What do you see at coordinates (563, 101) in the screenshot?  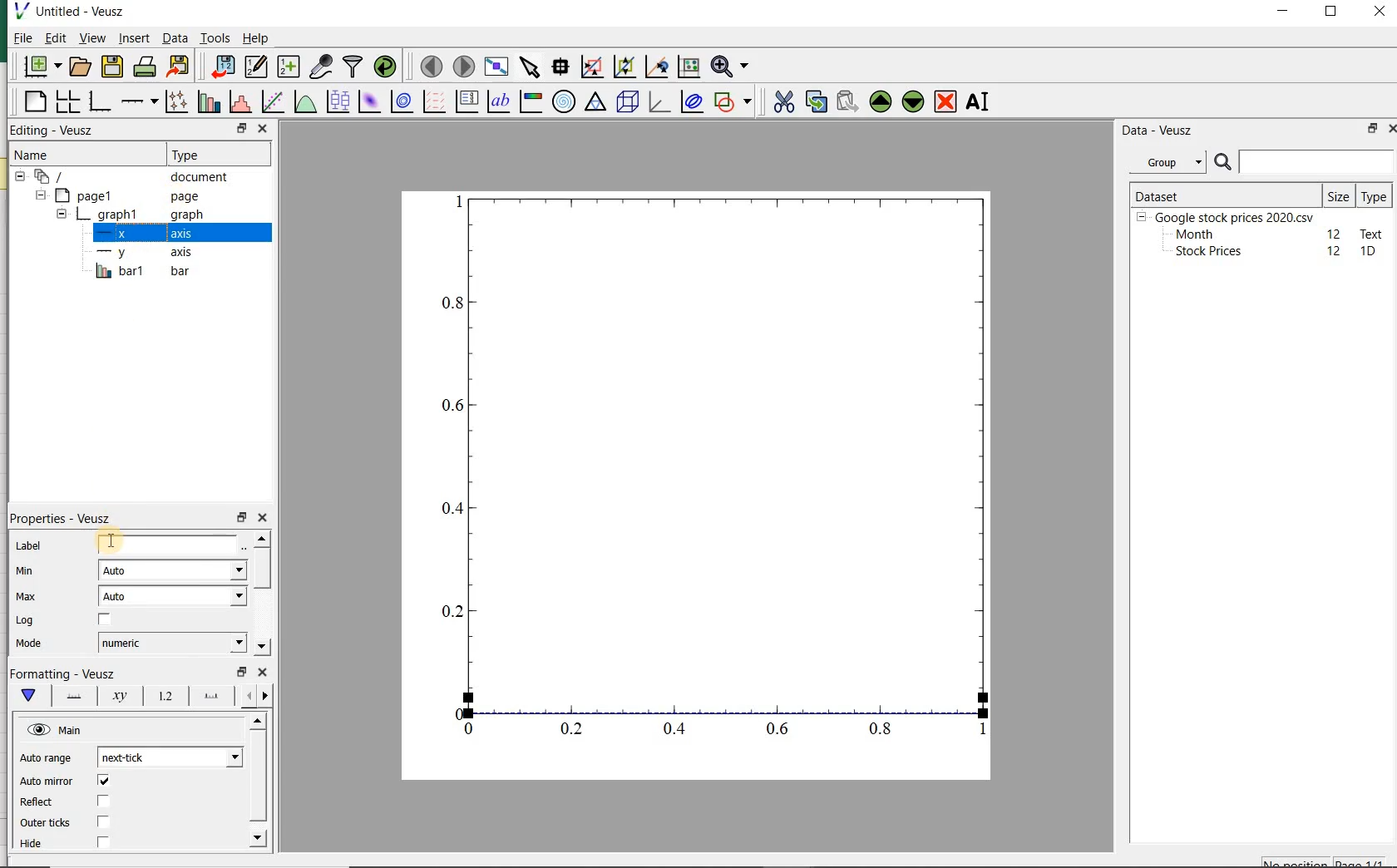 I see `polar graph` at bounding box center [563, 101].